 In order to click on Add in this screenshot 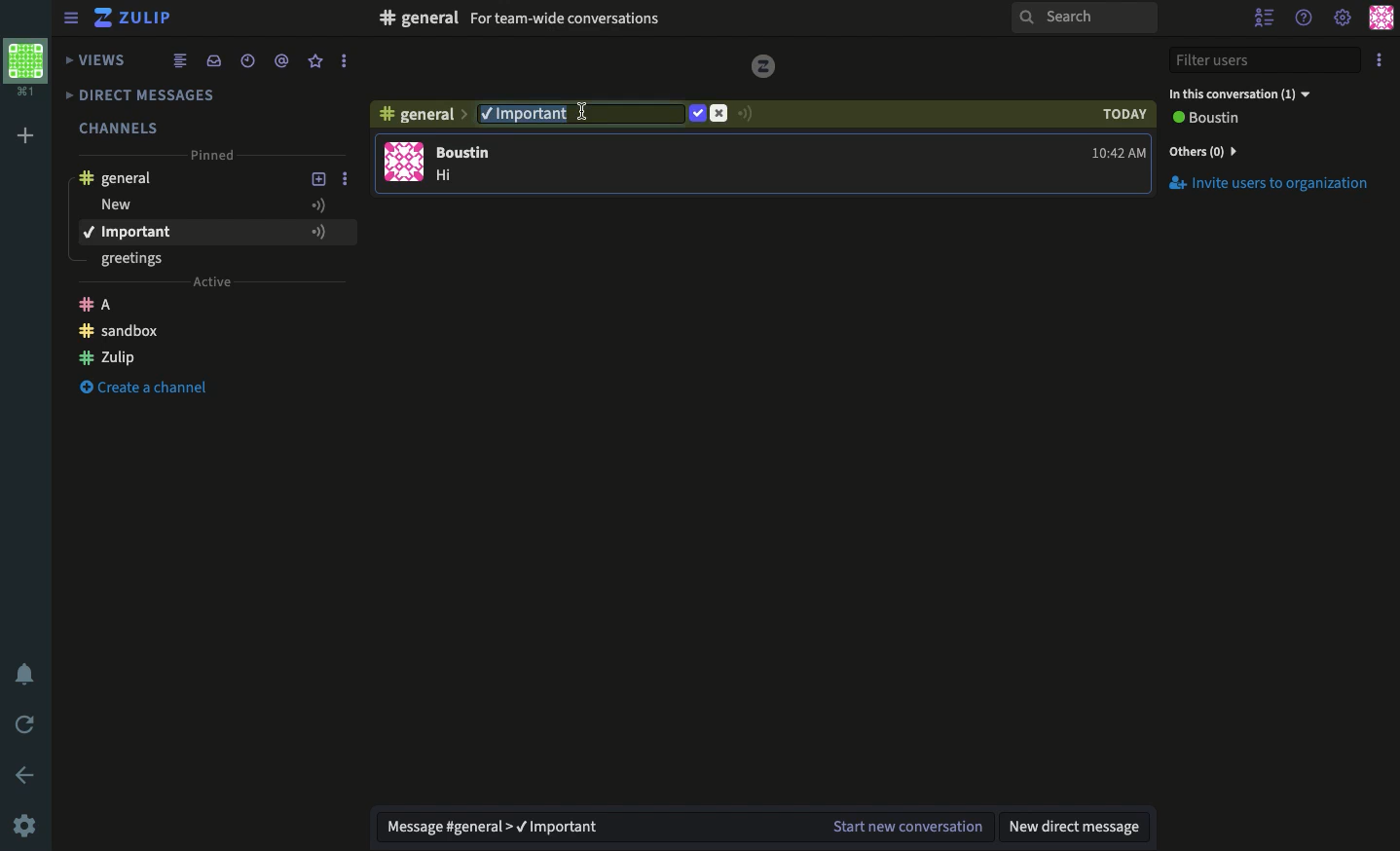, I will do `click(319, 179)`.